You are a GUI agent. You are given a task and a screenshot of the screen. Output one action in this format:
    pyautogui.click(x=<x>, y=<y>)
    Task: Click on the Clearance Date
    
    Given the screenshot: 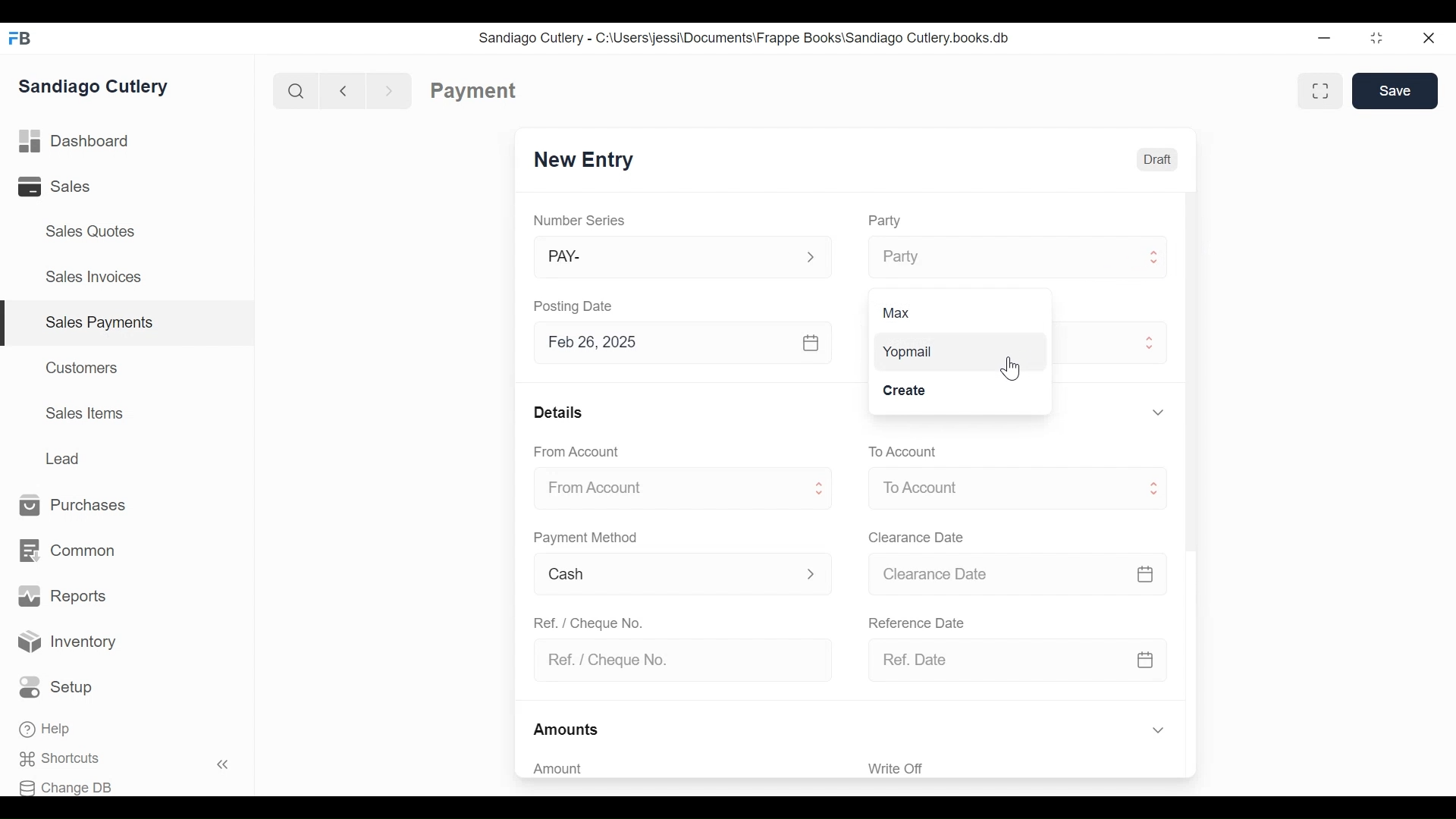 What is the action you would take?
    pyautogui.click(x=917, y=538)
    